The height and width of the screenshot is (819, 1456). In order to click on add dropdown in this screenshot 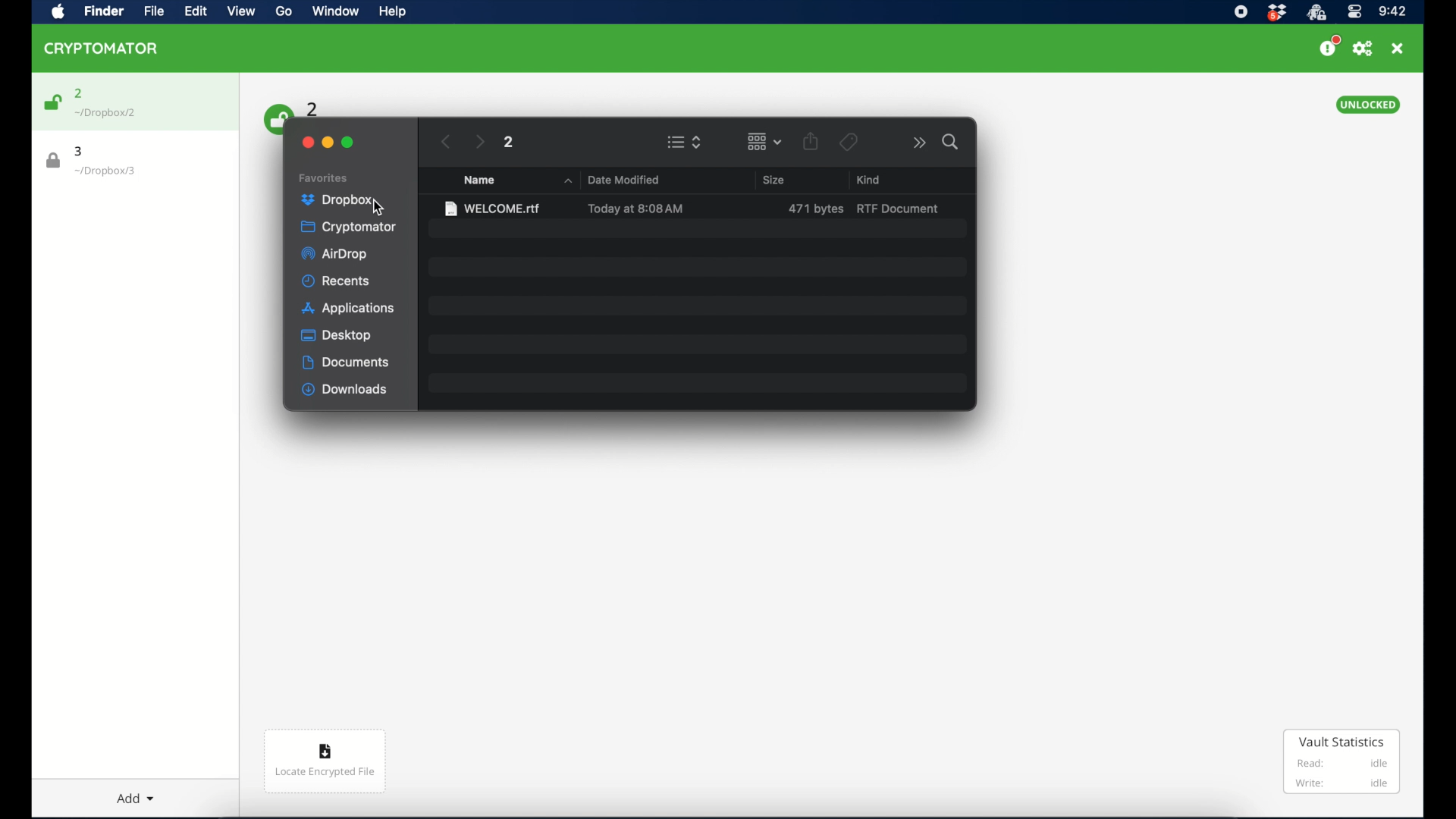, I will do `click(129, 792)`.